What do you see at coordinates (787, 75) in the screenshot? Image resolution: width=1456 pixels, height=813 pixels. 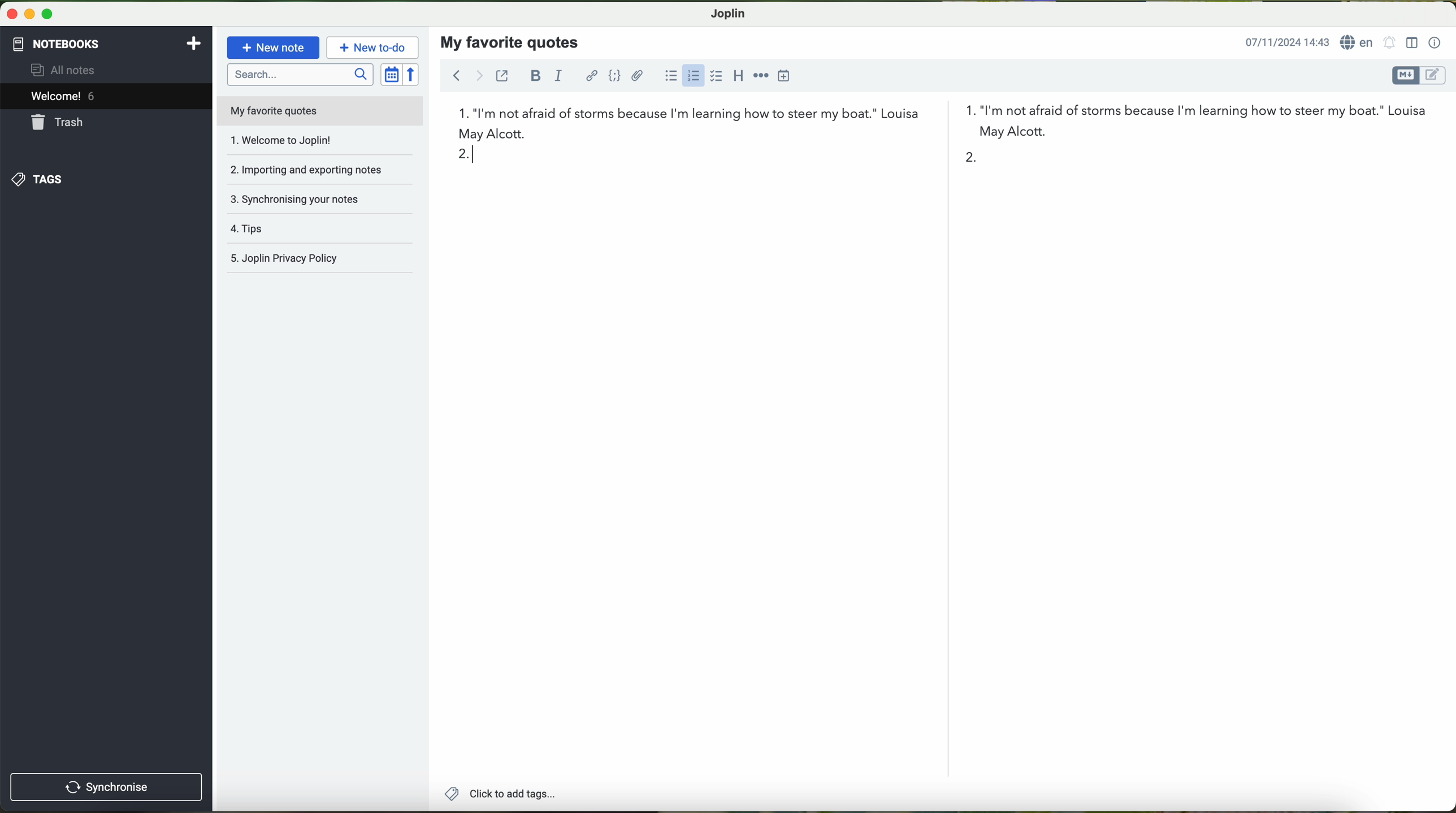 I see `insert time` at bounding box center [787, 75].